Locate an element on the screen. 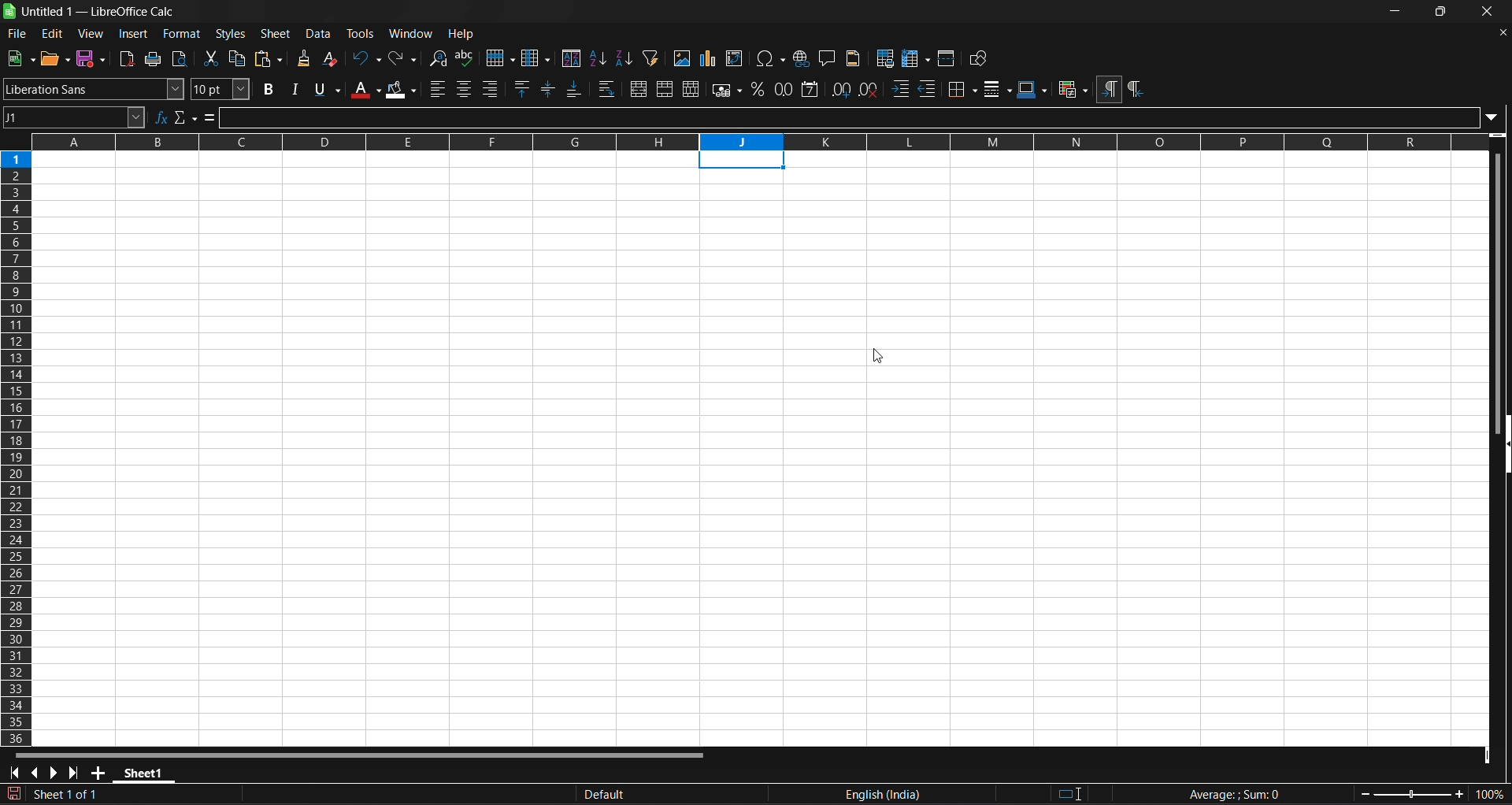 Image resolution: width=1512 pixels, height=805 pixels. data is located at coordinates (320, 33).